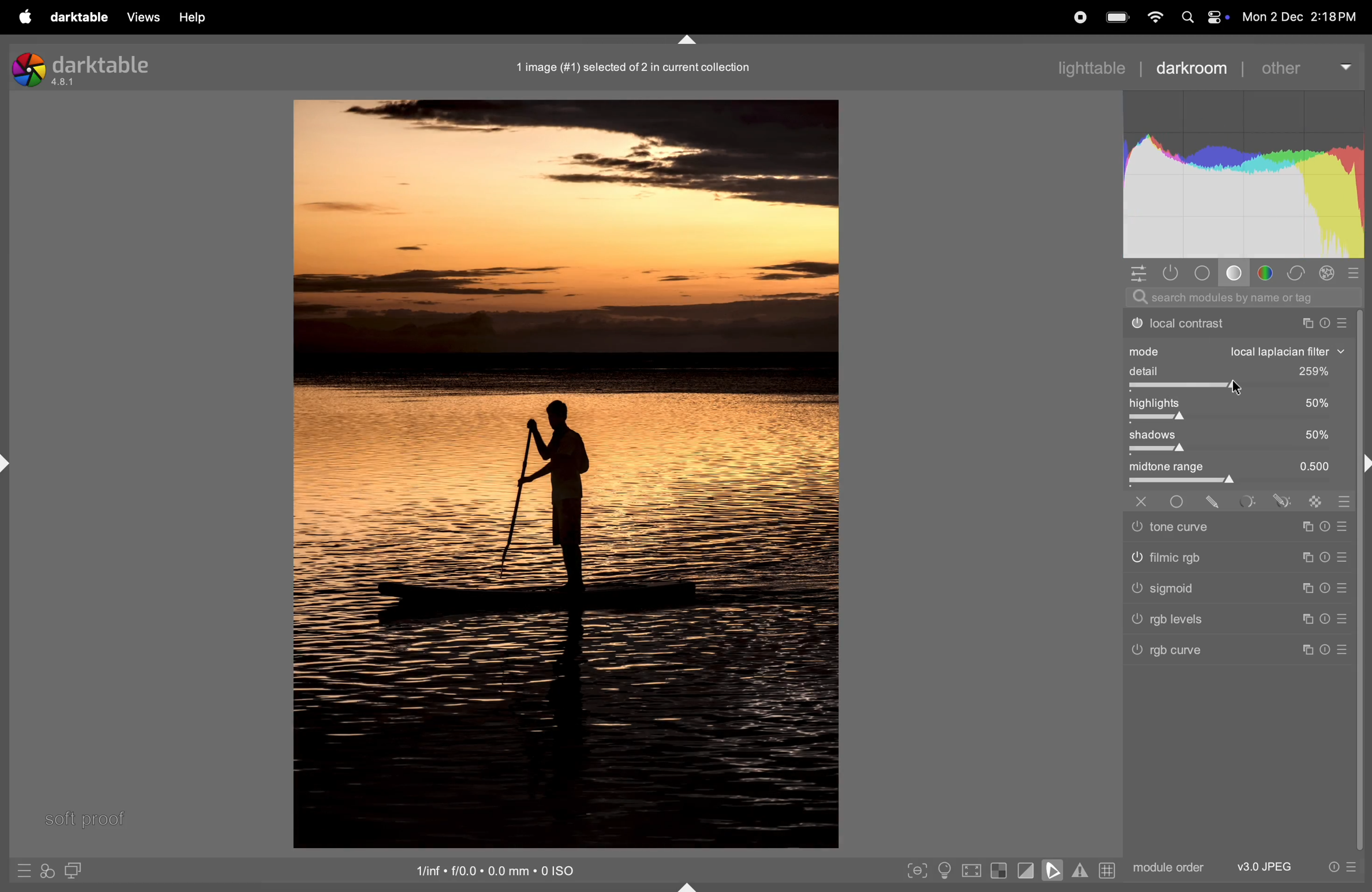  Describe the element at coordinates (1299, 273) in the screenshot. I see `correct` at that location.